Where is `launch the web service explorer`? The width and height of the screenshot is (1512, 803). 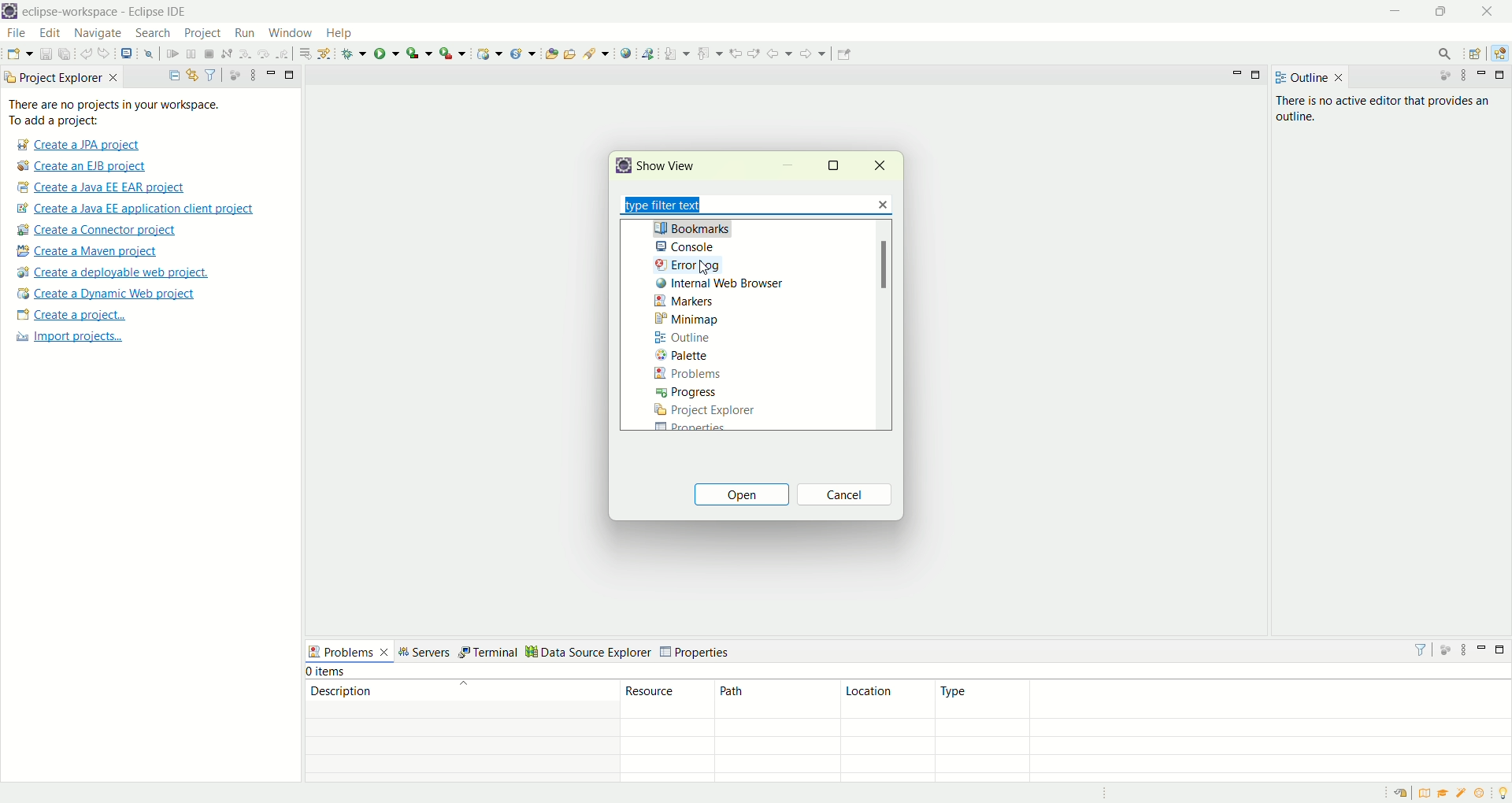
launch the web service explorer is located at coordinates (647, 54).